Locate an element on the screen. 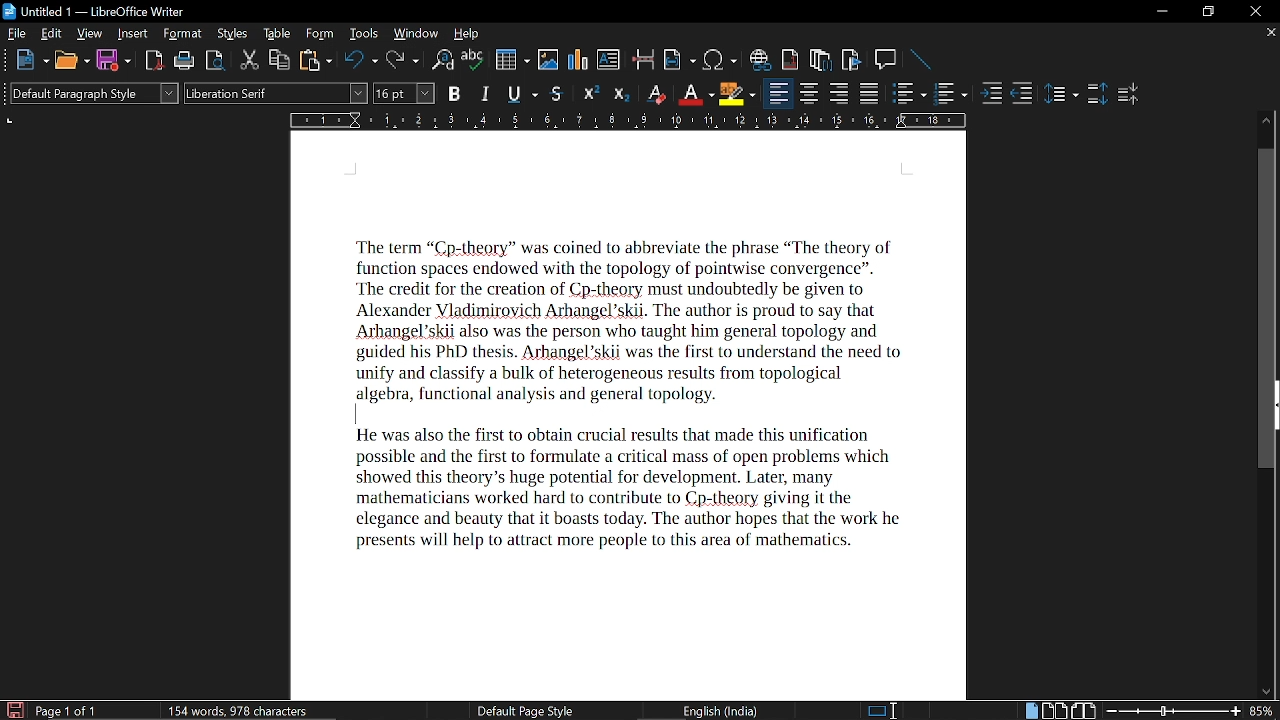  Spell check is located at coordinates (472, 60).